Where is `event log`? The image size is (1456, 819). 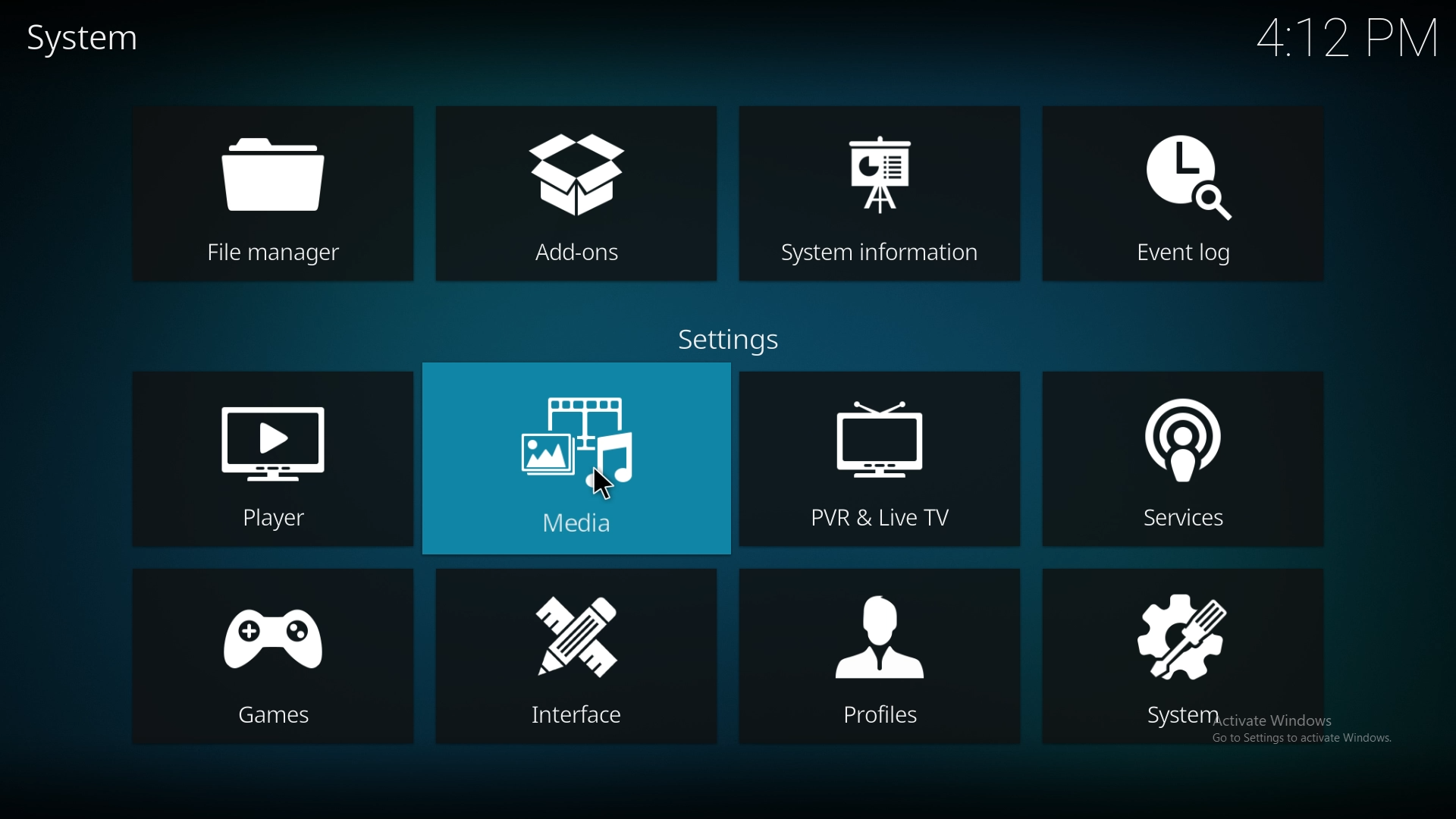
event log is located at coordinates (1185, 193).